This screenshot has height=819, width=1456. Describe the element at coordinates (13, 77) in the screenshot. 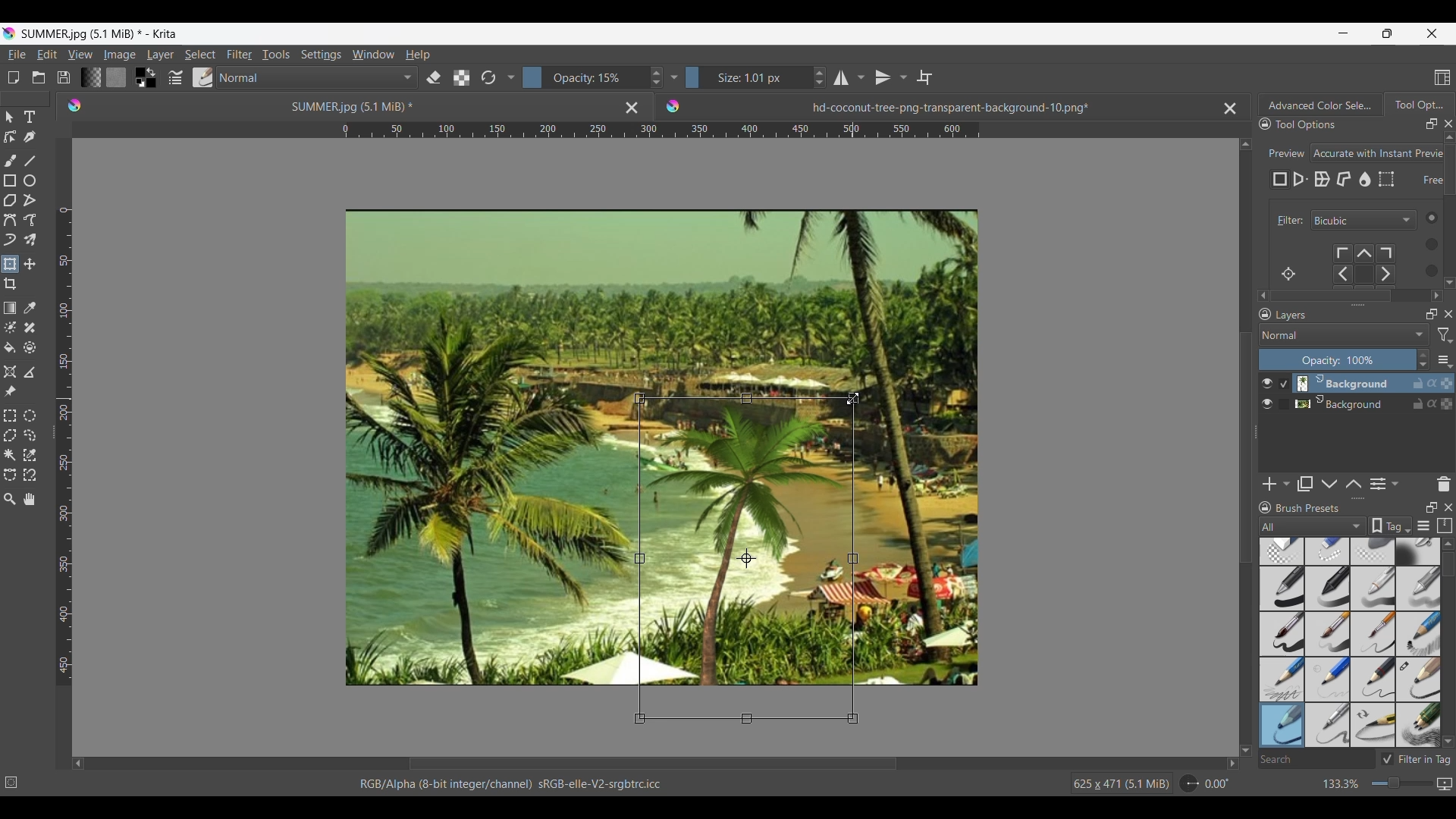

I see `Create a new document` at that location.